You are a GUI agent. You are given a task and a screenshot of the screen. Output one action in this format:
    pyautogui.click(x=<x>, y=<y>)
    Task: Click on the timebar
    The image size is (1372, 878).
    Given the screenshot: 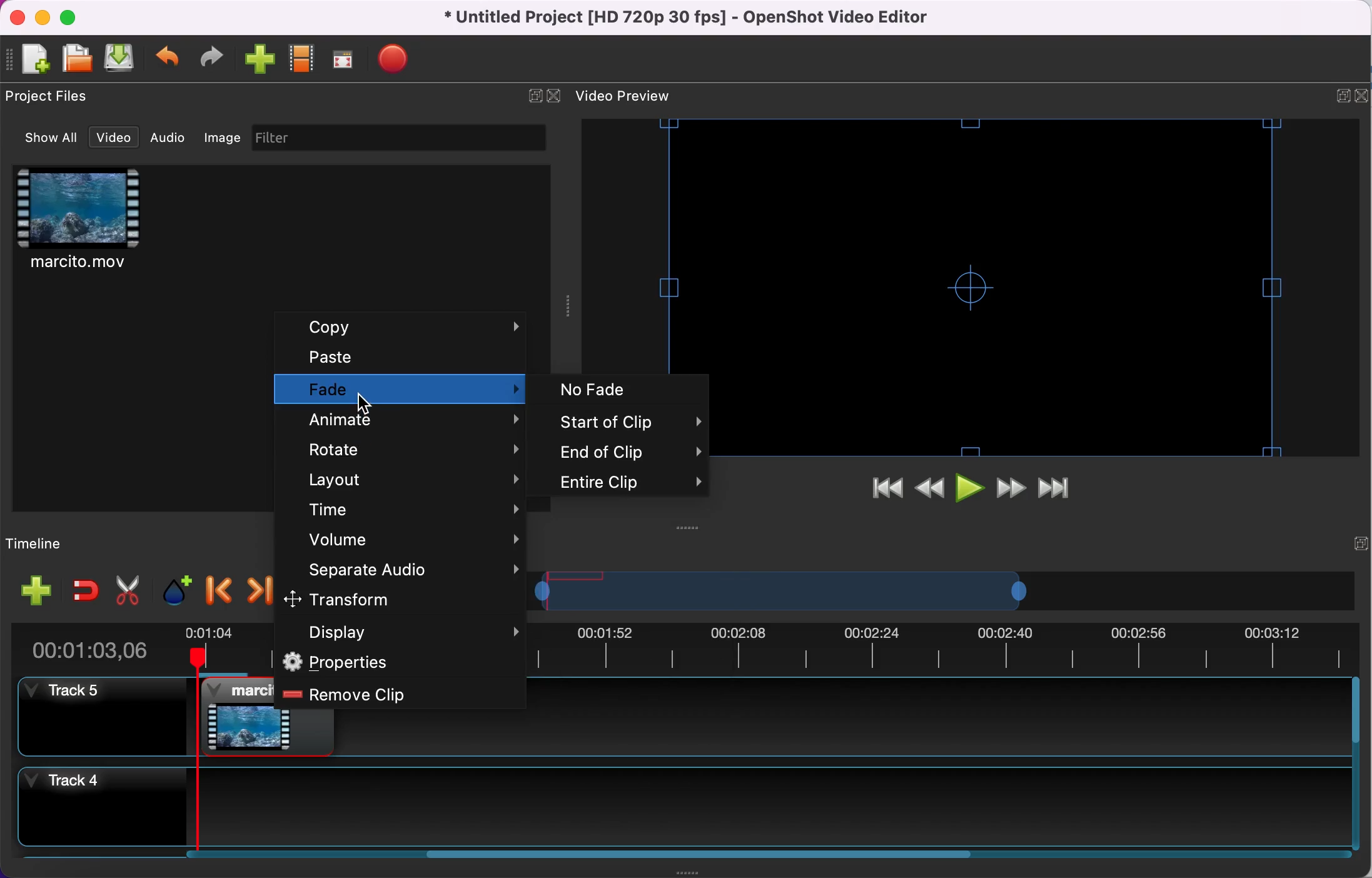 What is the action you would take?
    pyautogui.click(x=944, y=647)
    